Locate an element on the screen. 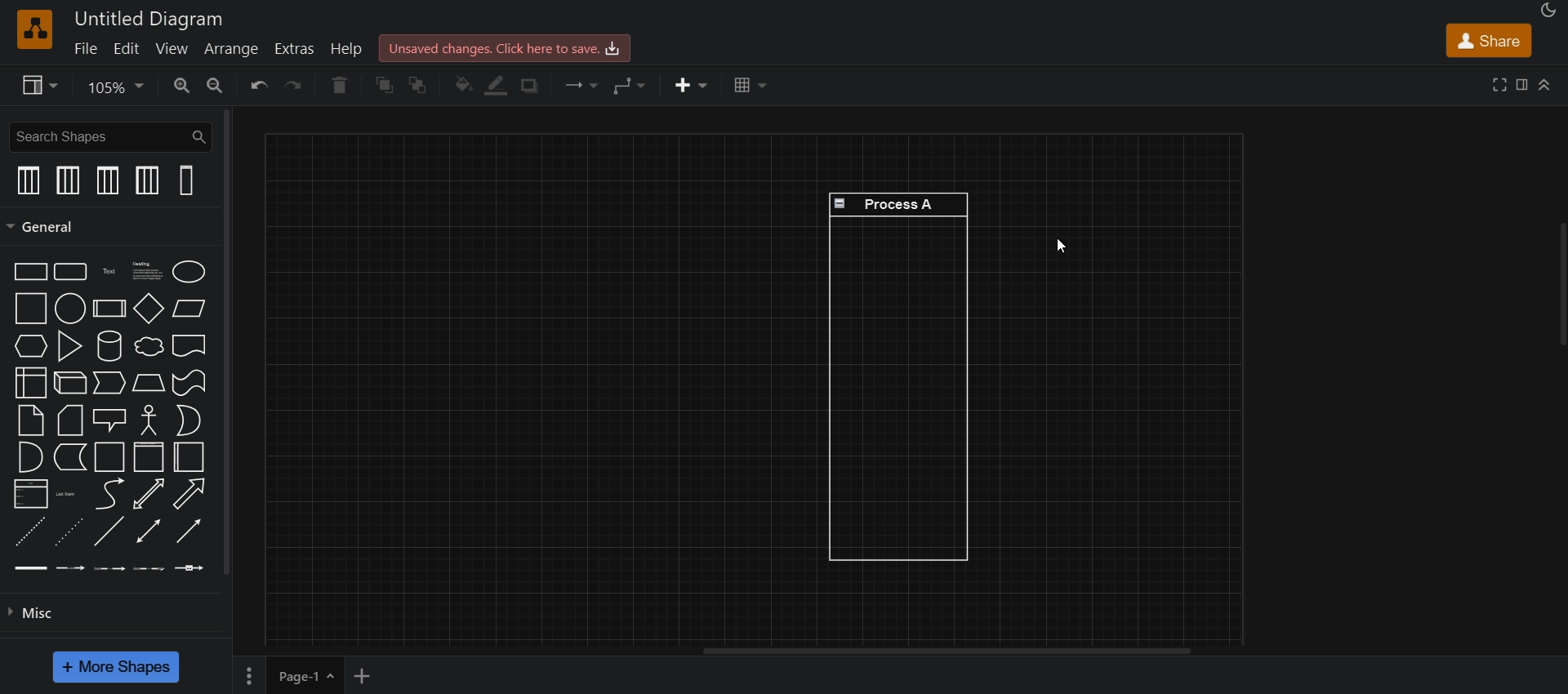 This screenshot has width=1568, height=694. delete is located at coordinates (340, 85).